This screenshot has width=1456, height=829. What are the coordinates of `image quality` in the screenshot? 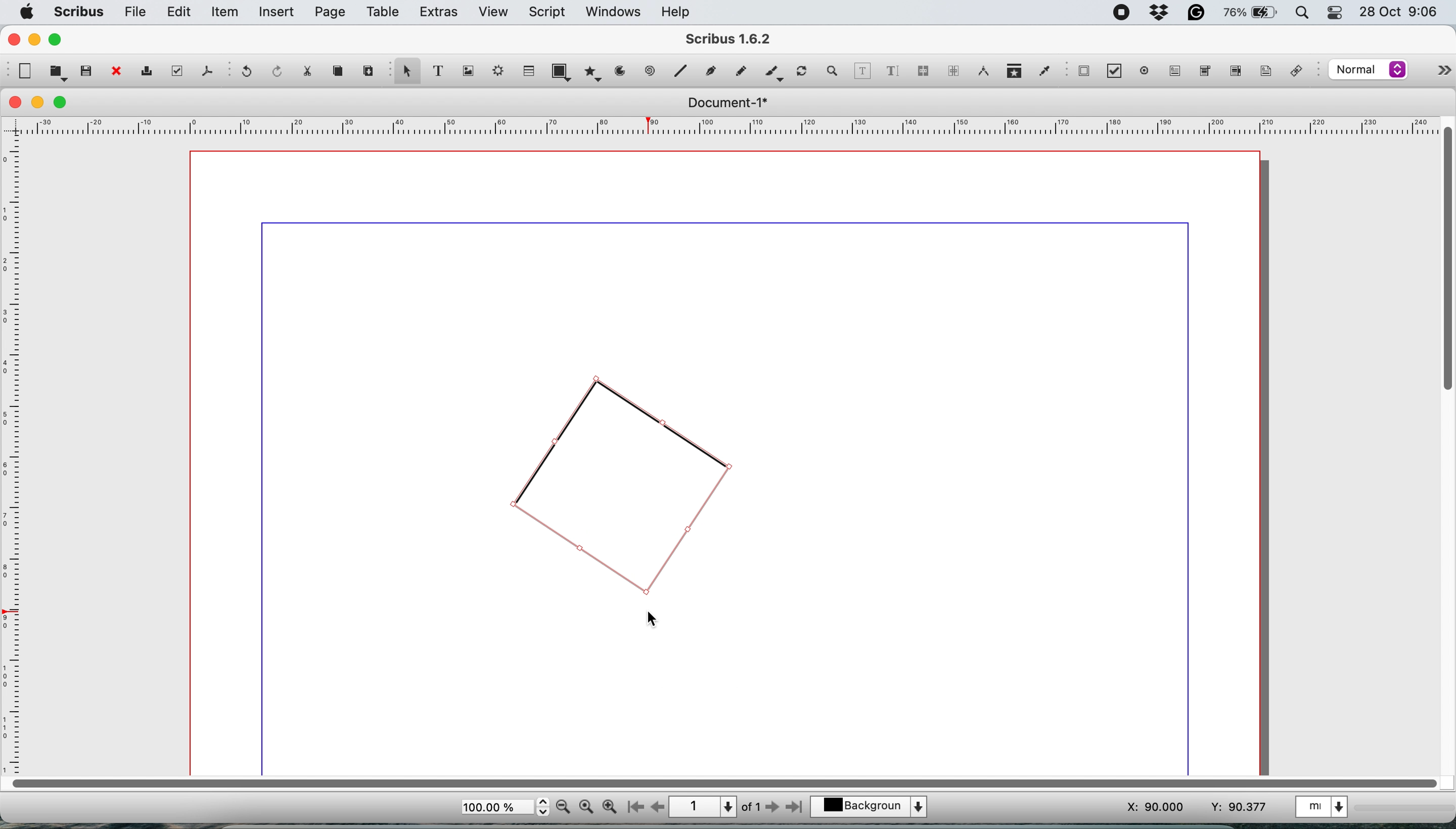 It's located at (1368, 71).